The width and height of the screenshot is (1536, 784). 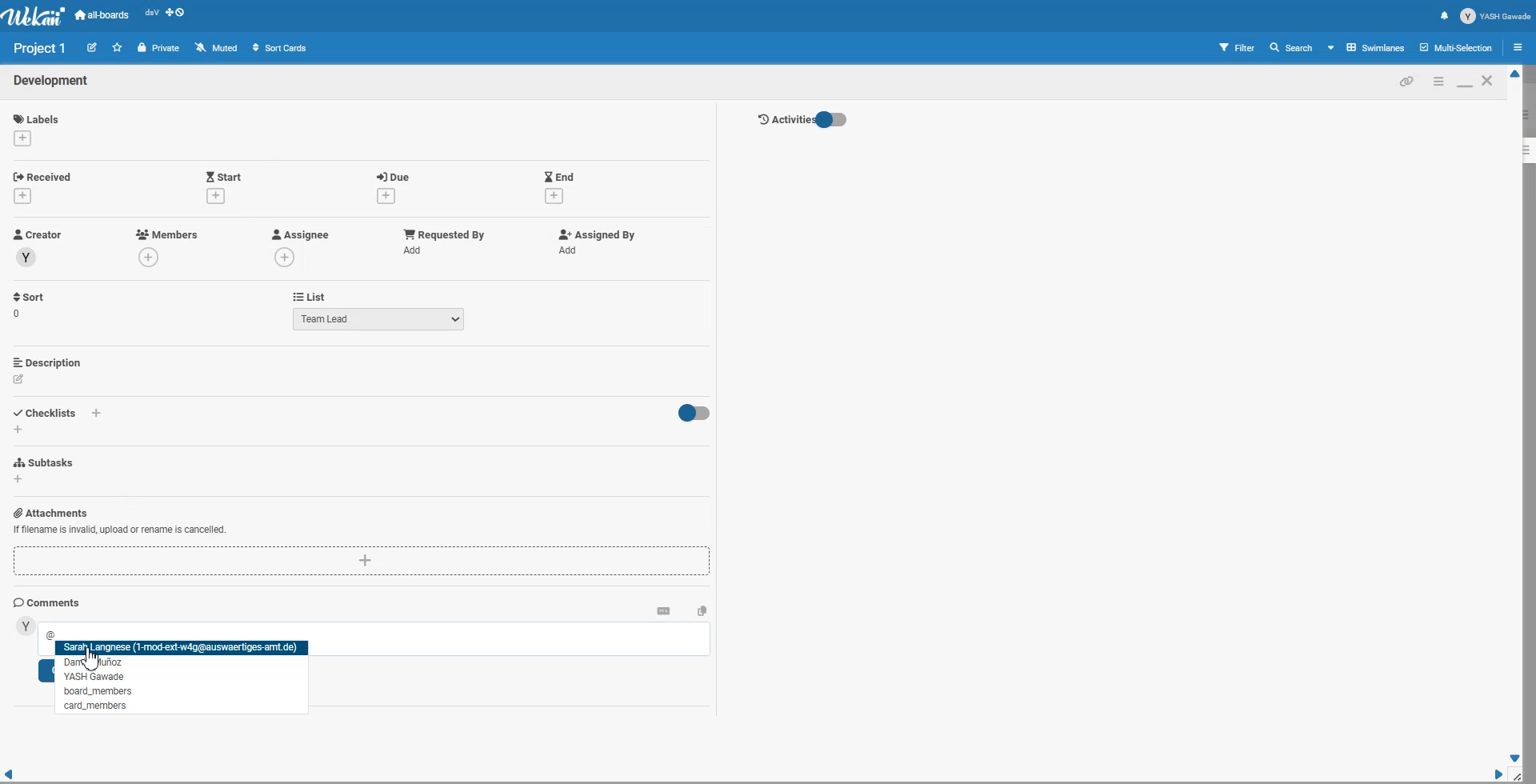 What do you see at coordinates (1407, 81) in the screenshot?
I see `Copy card link` at bounding box center [1407, 81].